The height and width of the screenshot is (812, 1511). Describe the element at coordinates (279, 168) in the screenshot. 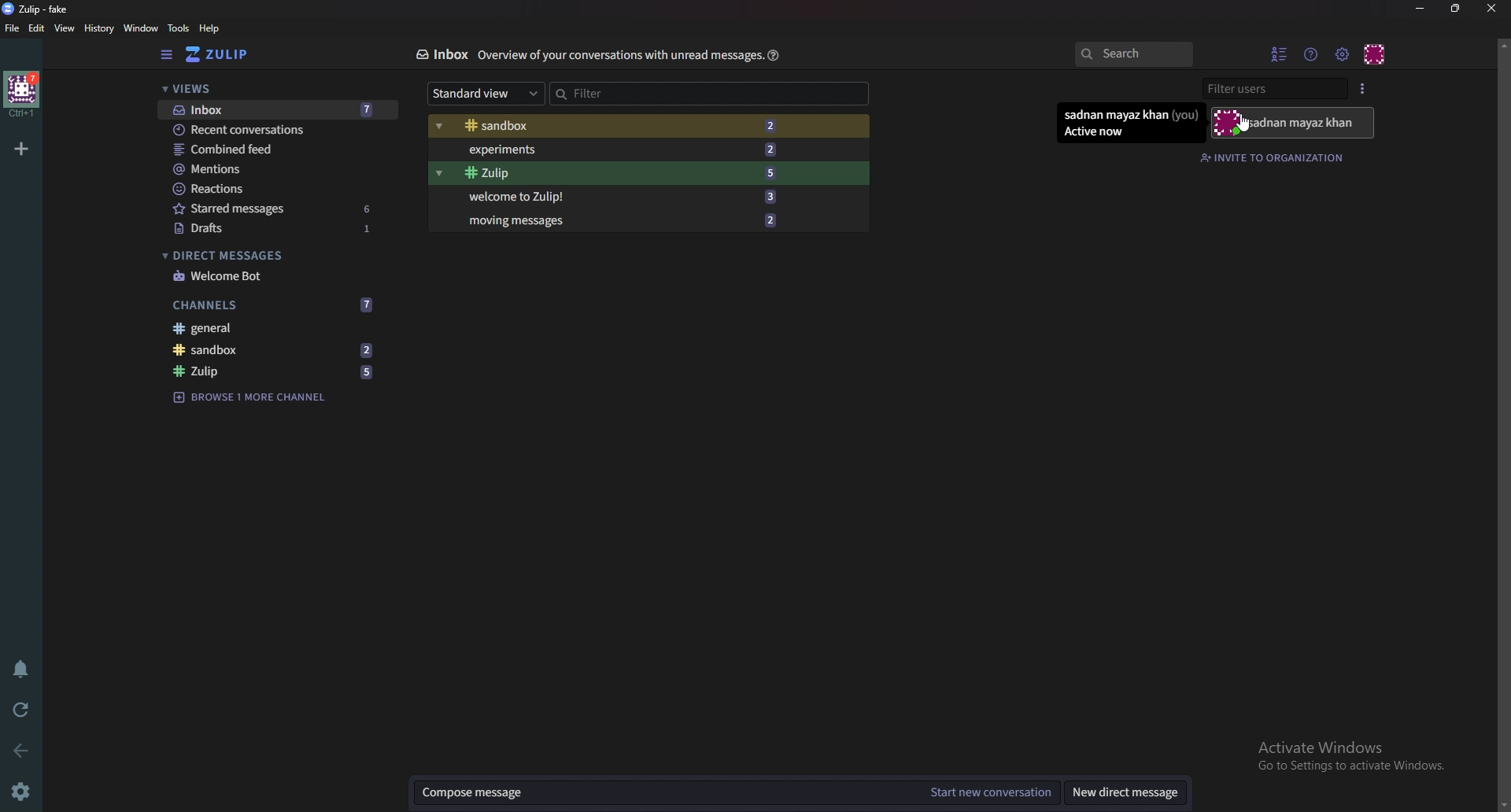

I see `Mentions` at that location.